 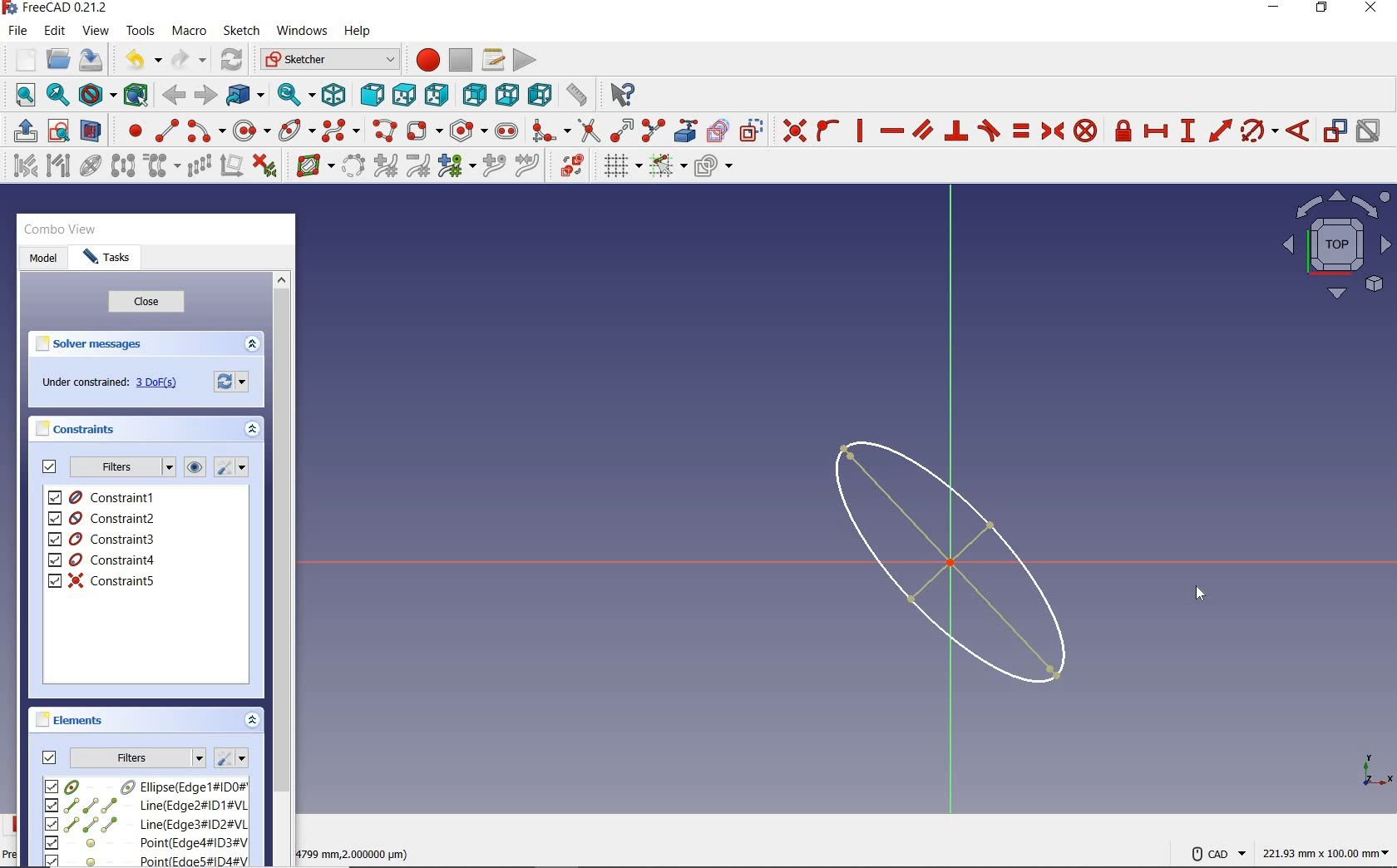 What do you see at coordinates (526, 58) in the screenshot?
I see `execute macro` at bounding box center [526, 58].